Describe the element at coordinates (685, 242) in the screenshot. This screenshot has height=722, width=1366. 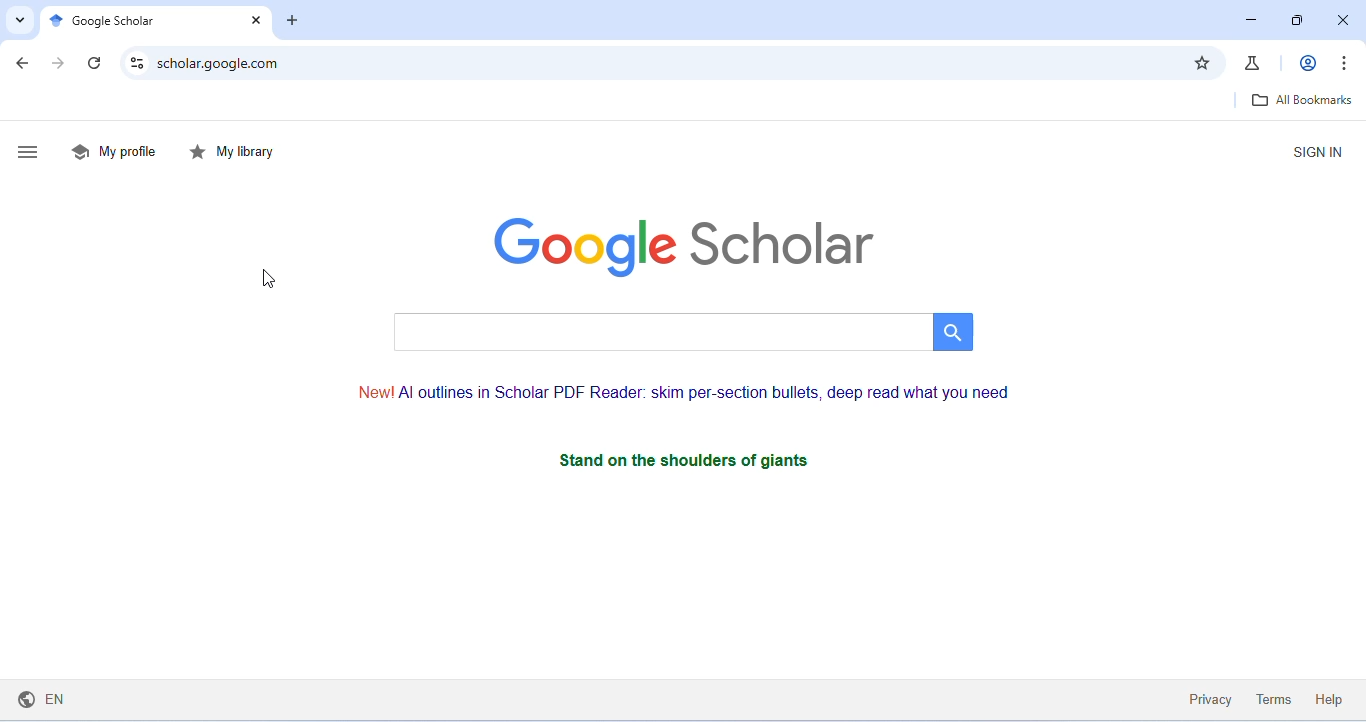
I see `google scholar logo` at that location.